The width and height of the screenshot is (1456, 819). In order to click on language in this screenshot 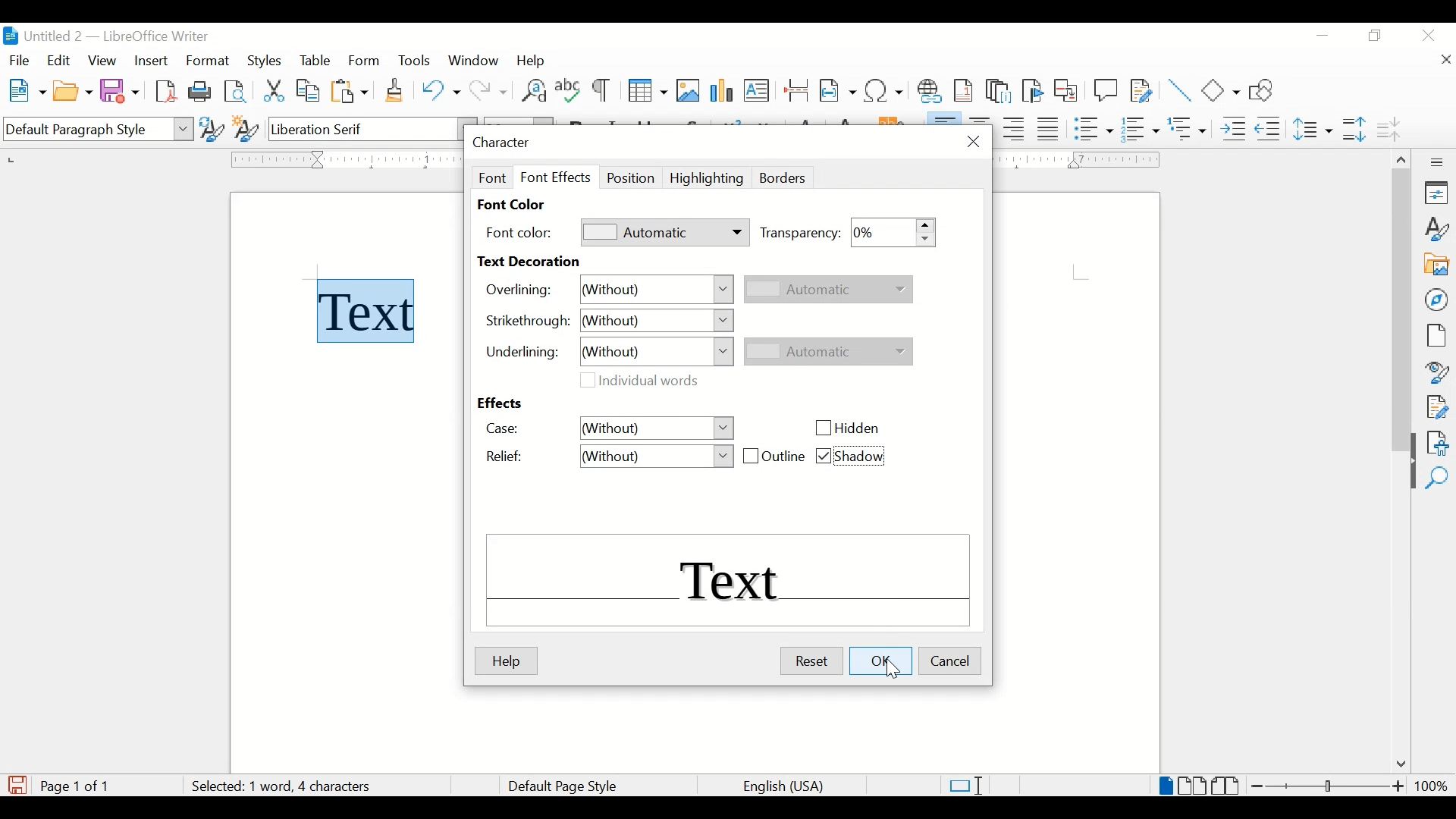, I will do `click(785, 787)`.